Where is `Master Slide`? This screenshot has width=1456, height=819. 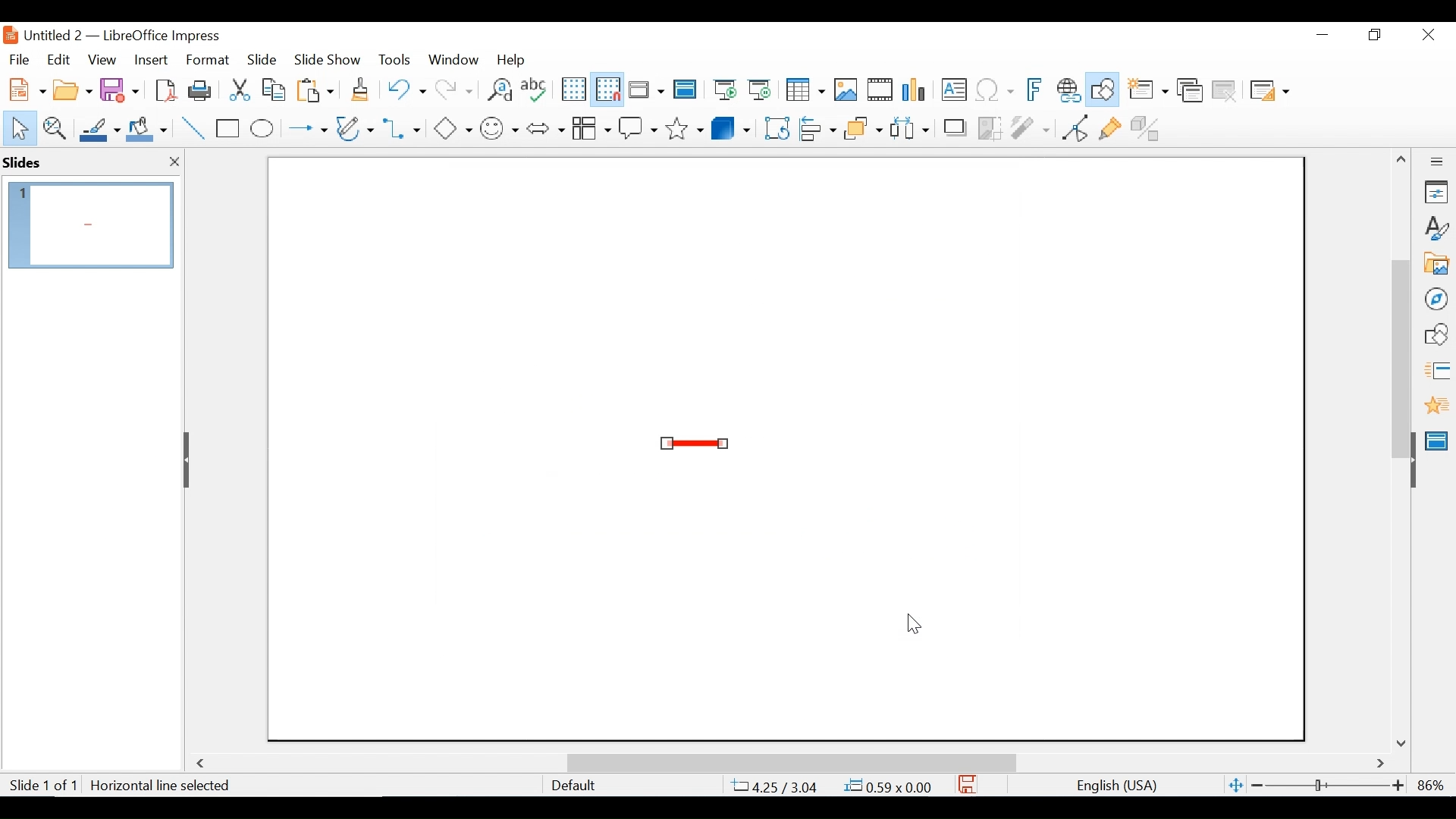
Master Slide is located at coordinates (1439, 439).